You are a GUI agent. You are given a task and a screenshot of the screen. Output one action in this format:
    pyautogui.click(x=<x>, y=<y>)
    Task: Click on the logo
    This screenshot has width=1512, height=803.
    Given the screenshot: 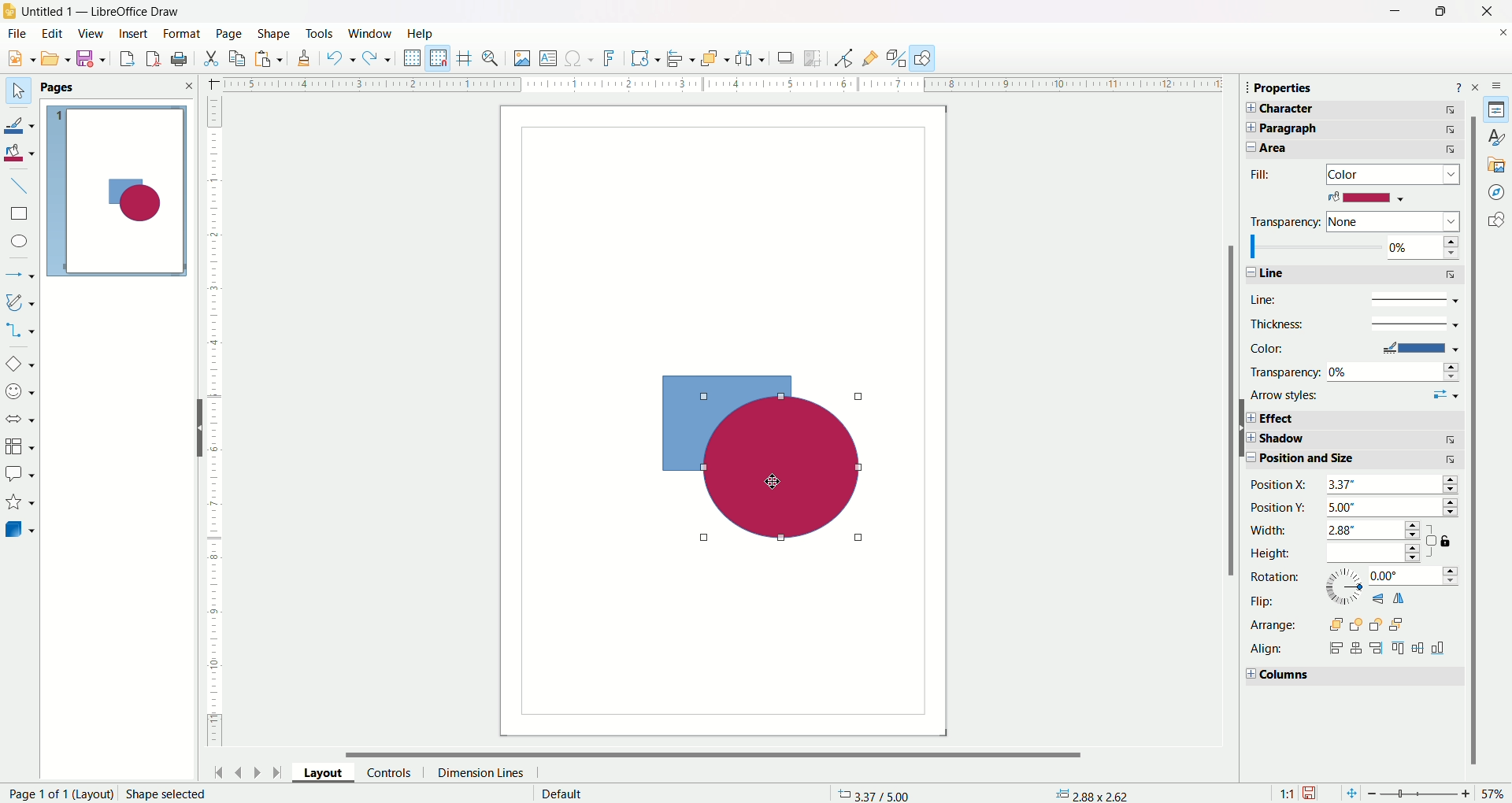 What is the action you would take?
    pyautogui.click(x=11, y=9)
    